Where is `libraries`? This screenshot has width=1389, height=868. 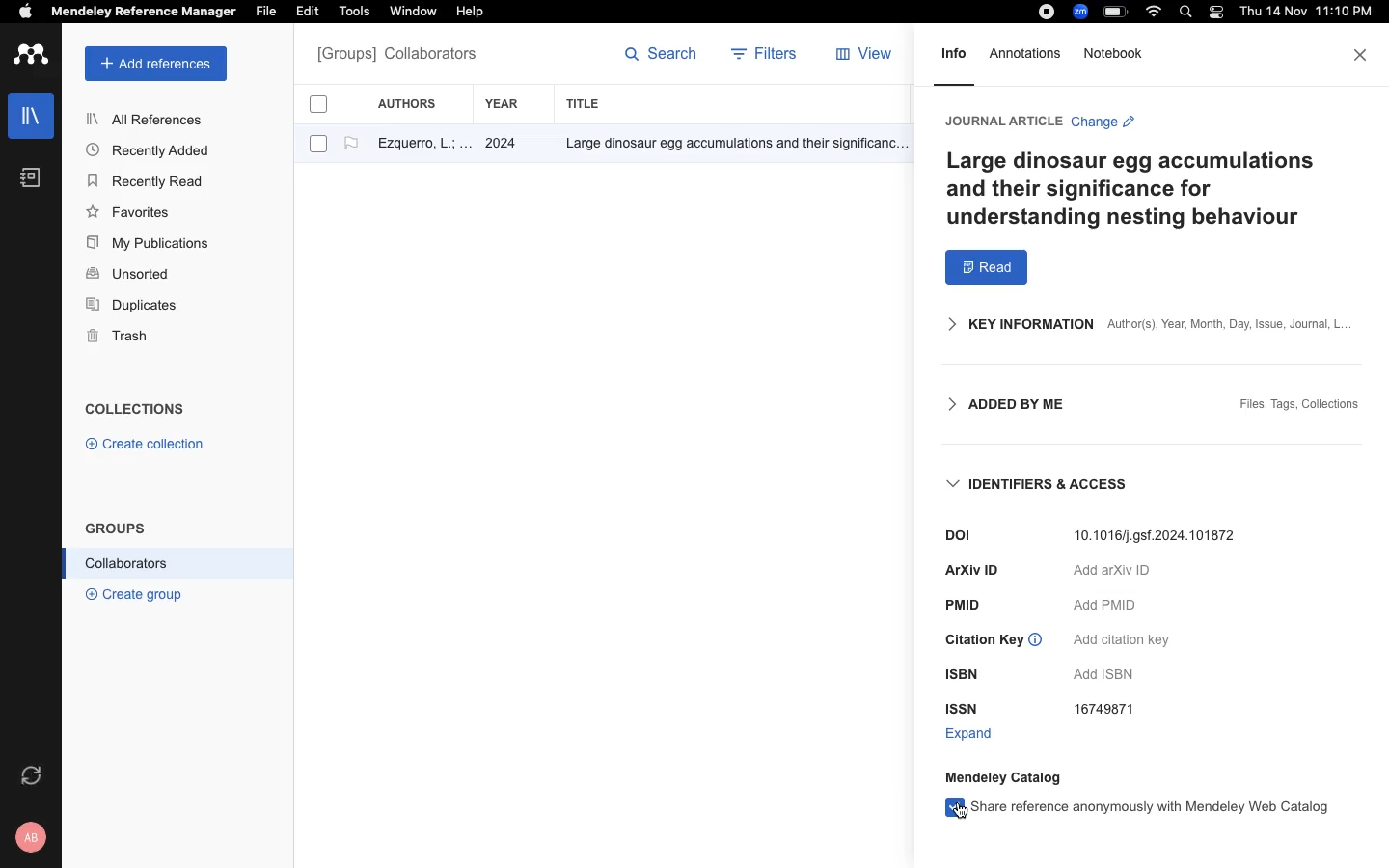 libraries is located at coordinates (29, 114).